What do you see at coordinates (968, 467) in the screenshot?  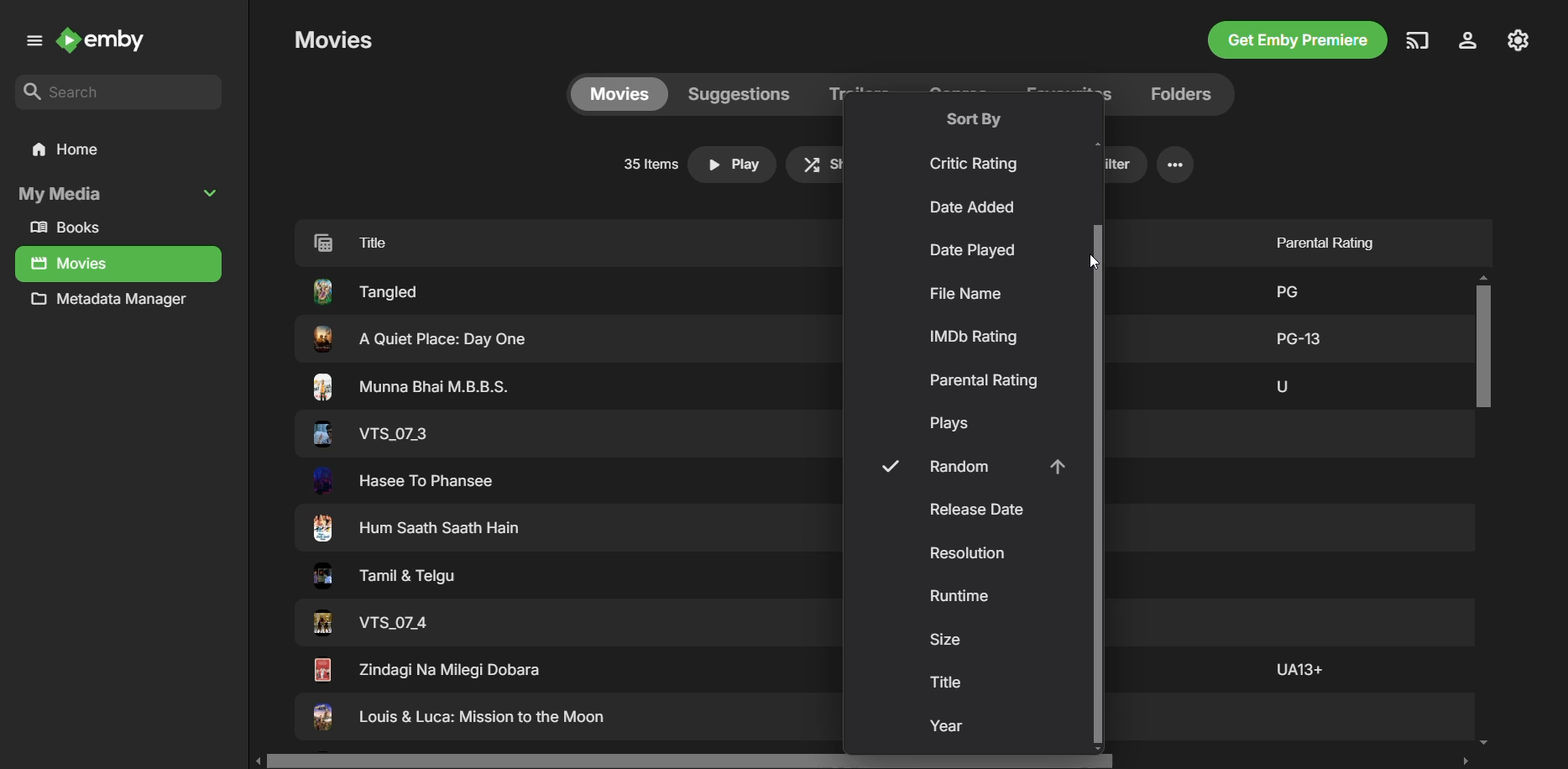 I see `Current Sort Order - Random` at bounding box center [968, 467].